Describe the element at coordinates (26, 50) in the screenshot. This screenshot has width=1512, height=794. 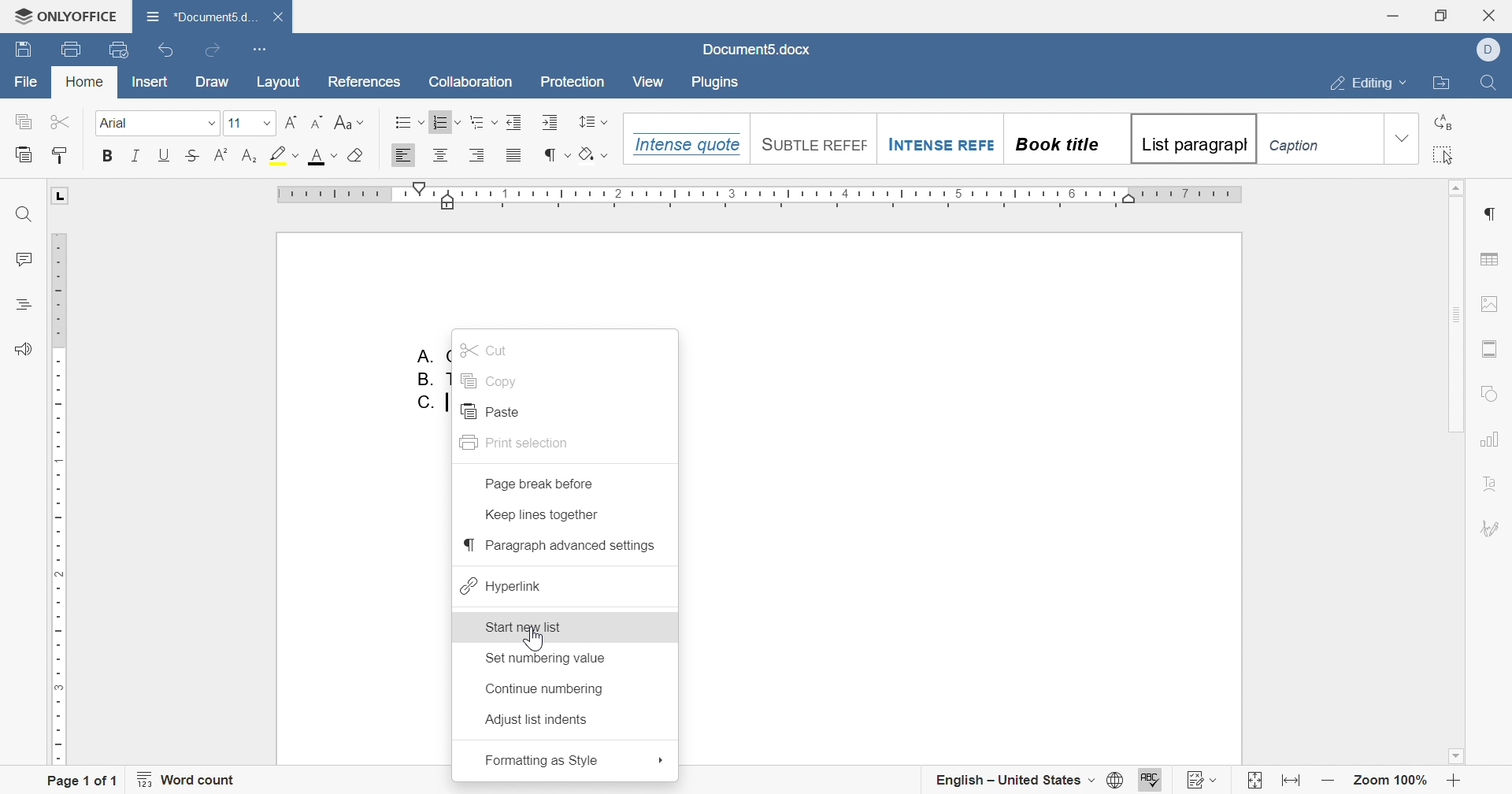
I see `save` at that location.